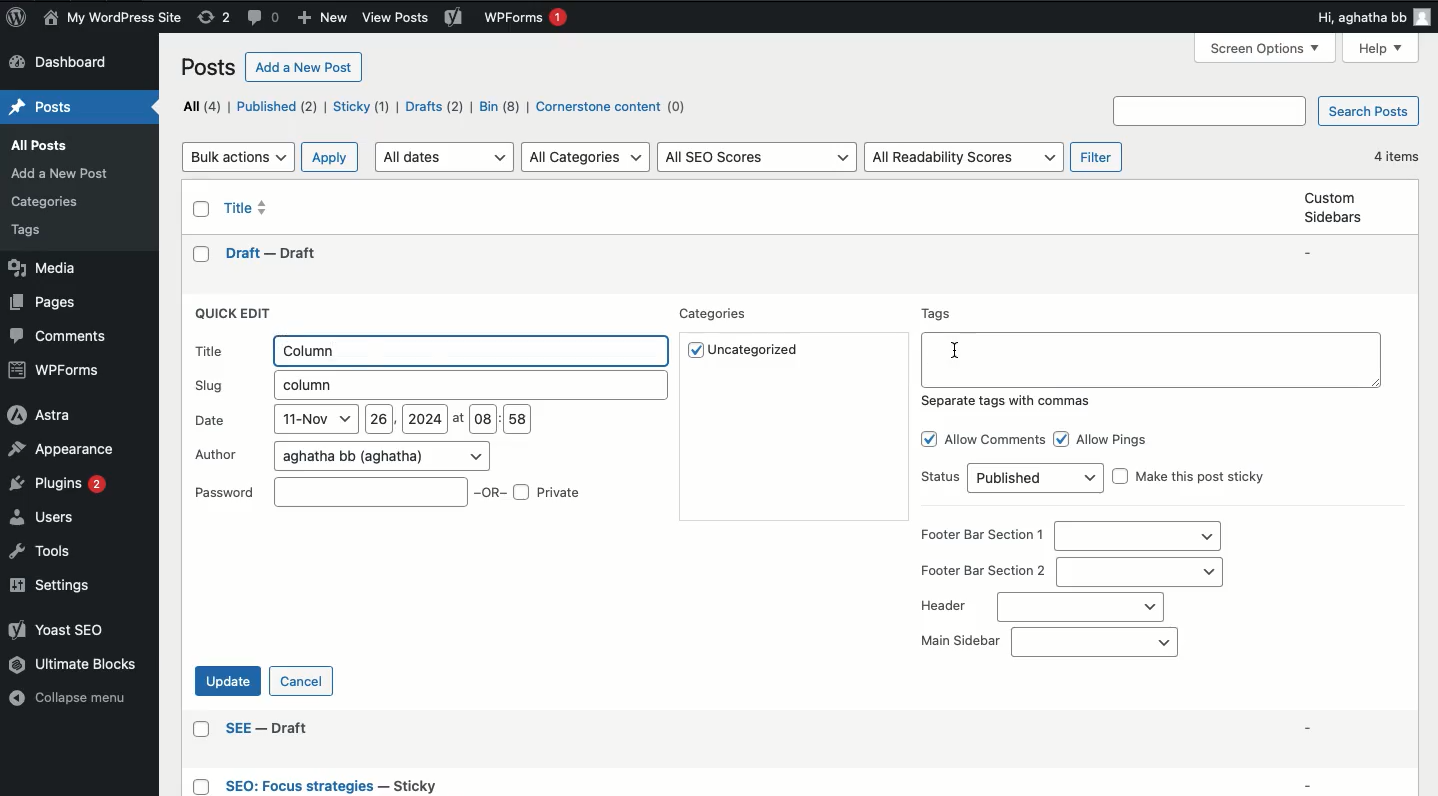 This screenshot has height=796, width=1438. Describe the element at coordinates (278, 107) in the screenshot. I see `Published` at that location.